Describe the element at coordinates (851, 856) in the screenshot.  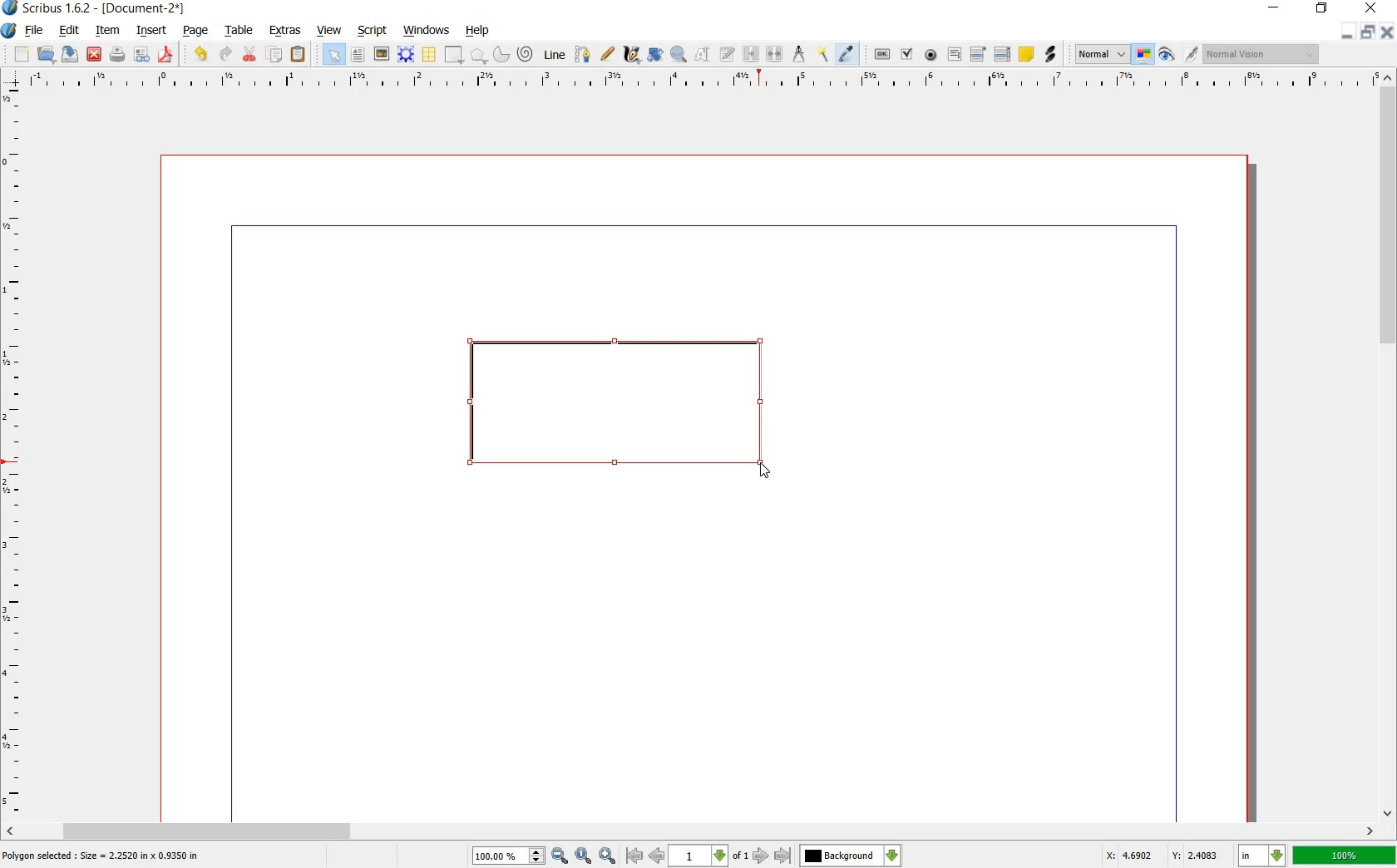
I see `select the current layer` at that location.